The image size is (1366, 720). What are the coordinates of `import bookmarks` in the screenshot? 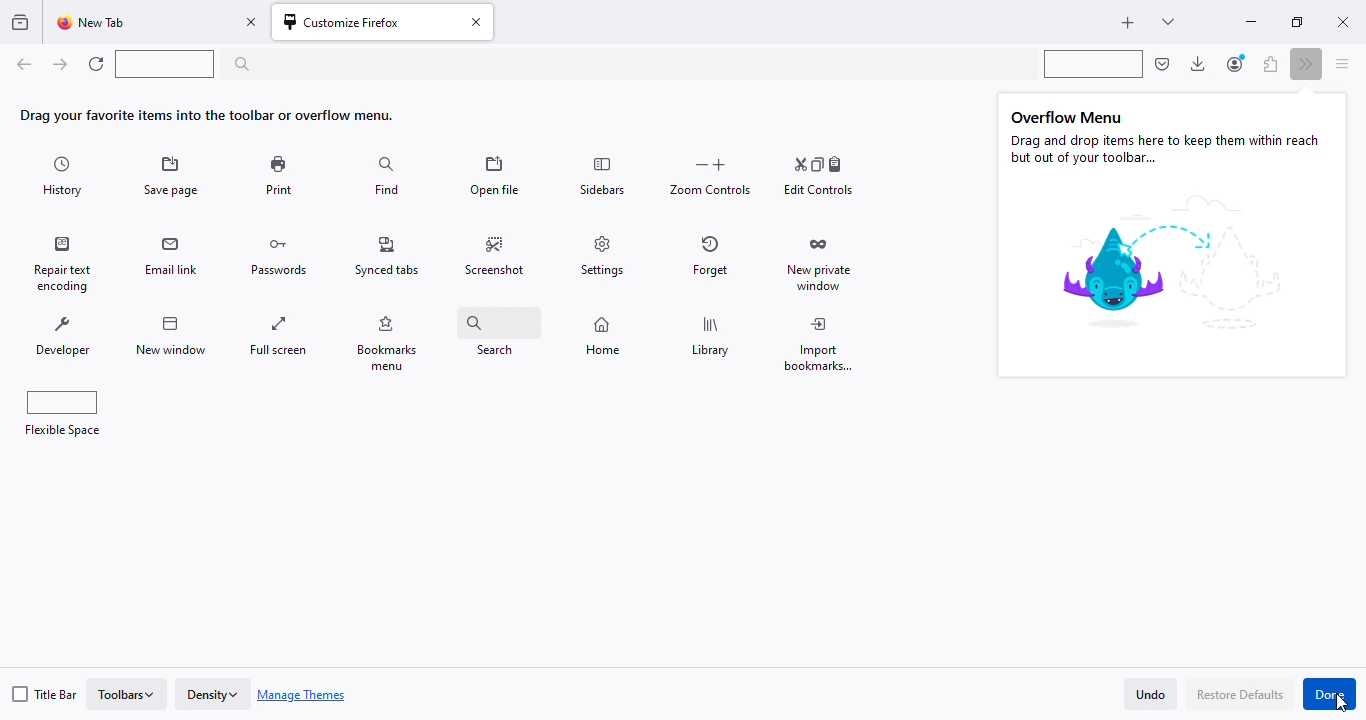 It's located at (819, 343).